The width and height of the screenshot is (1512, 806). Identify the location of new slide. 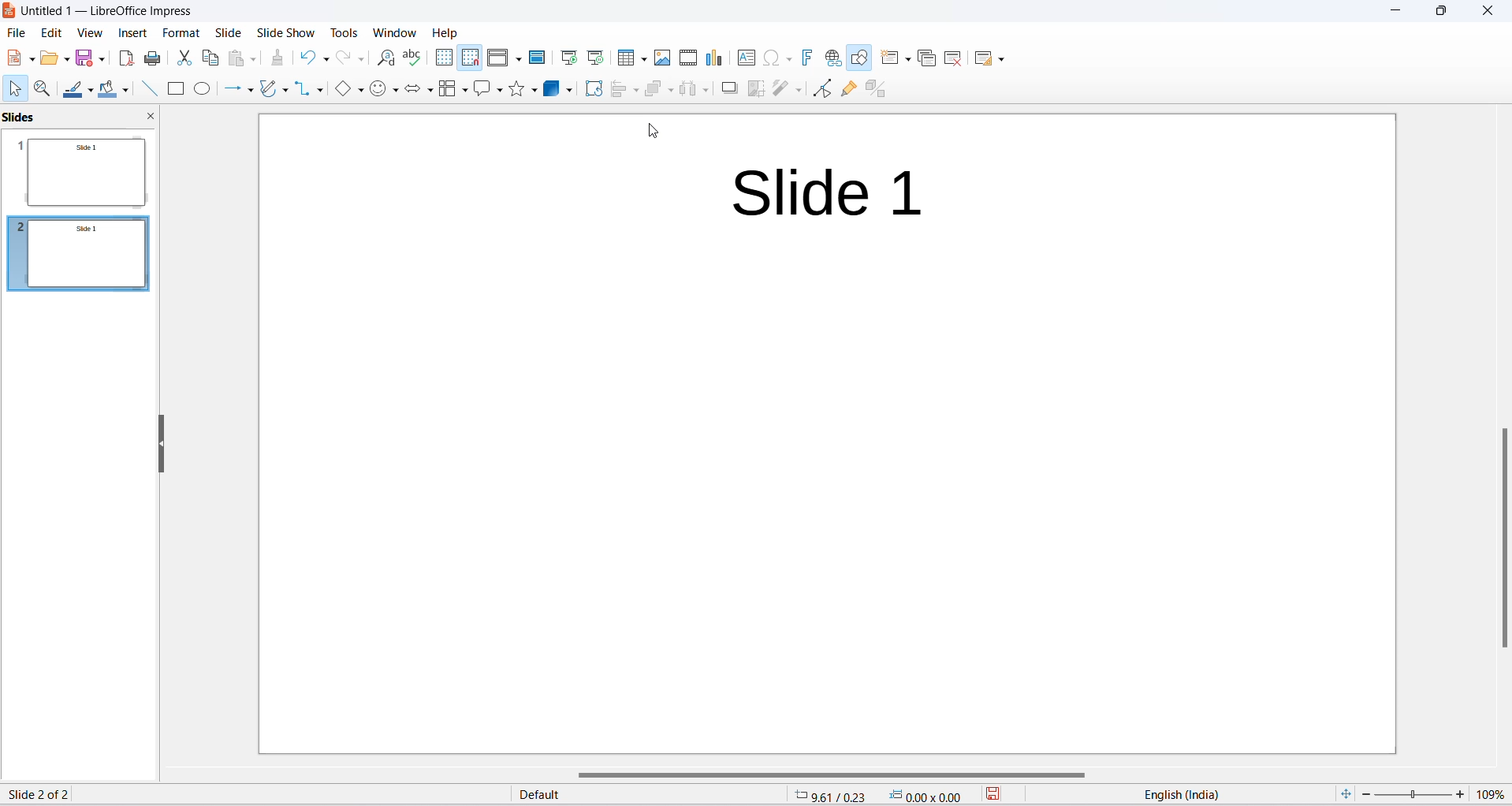
(892, 57).